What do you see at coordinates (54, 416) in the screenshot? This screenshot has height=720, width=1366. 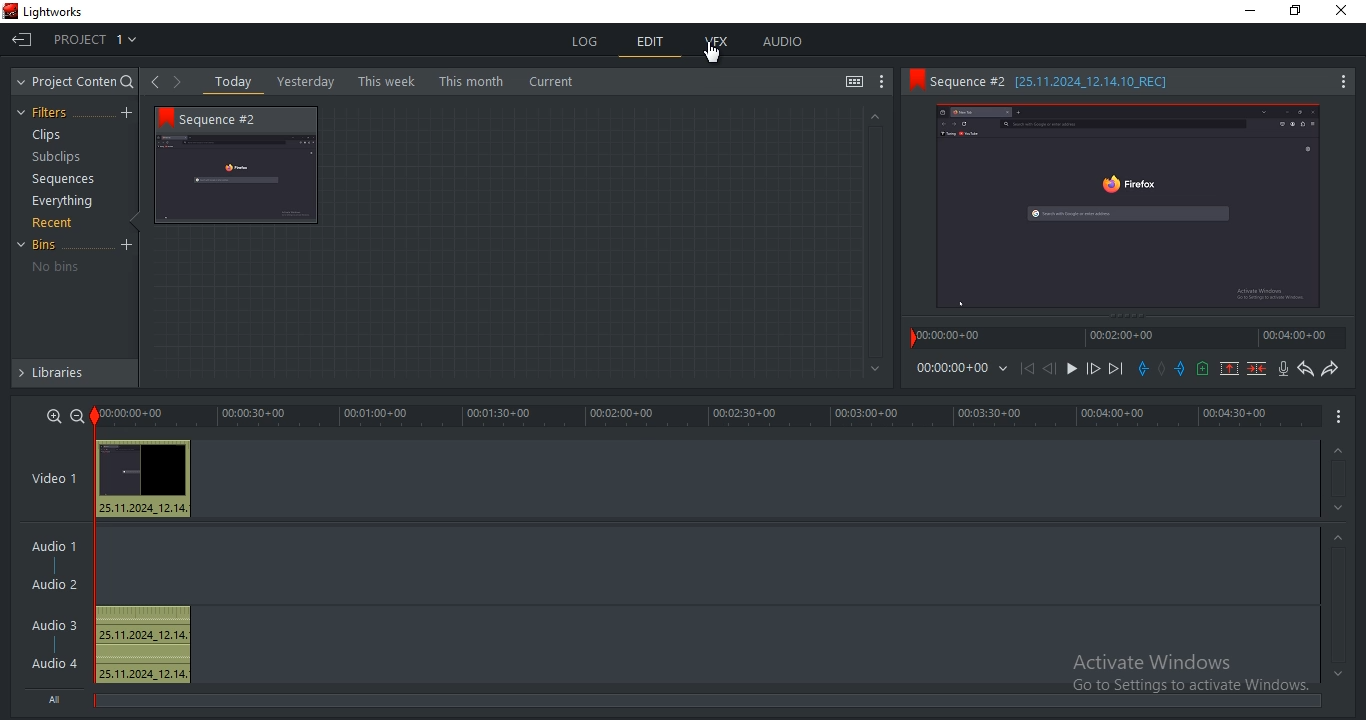 I see `zoom in` at bounding box center [54, 416].